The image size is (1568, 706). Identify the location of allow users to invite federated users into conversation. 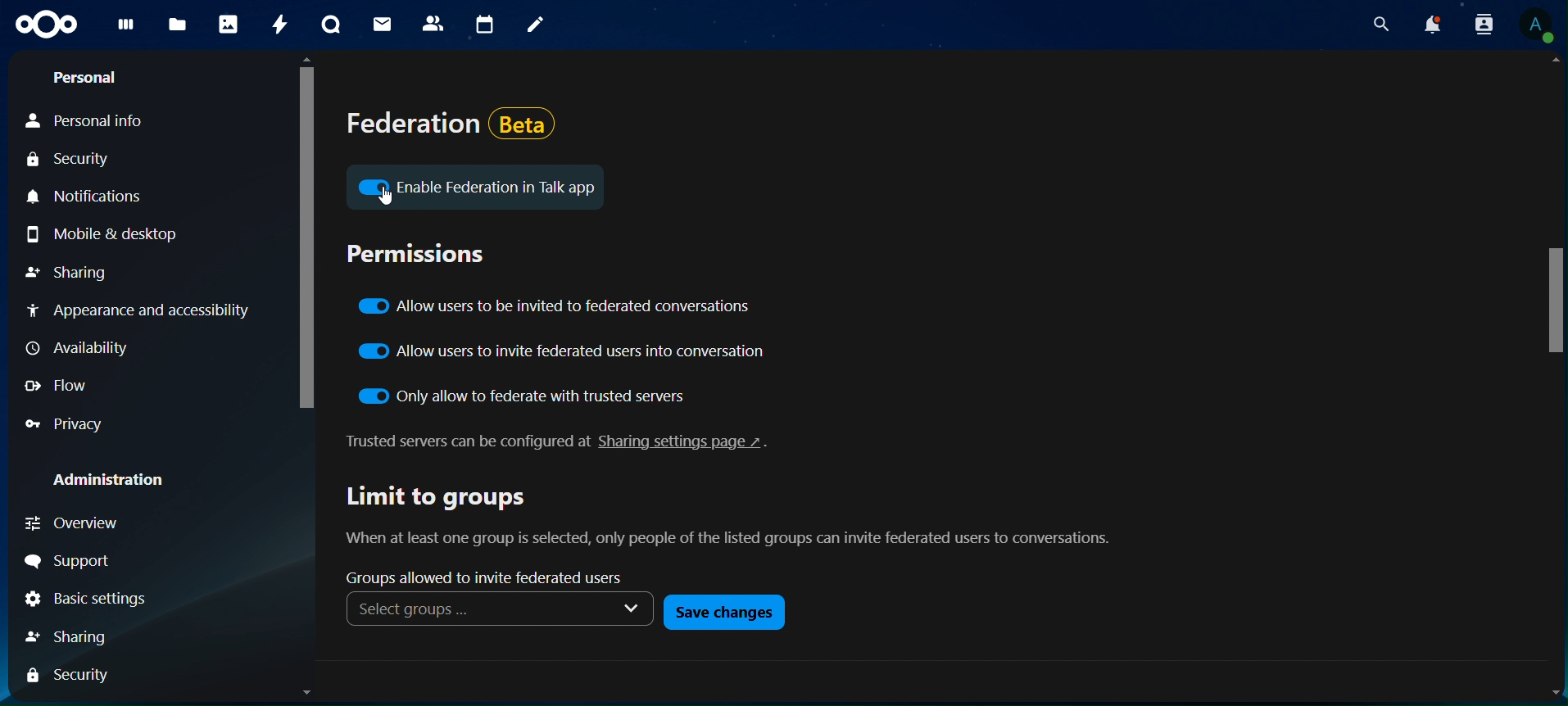
(561, 352).